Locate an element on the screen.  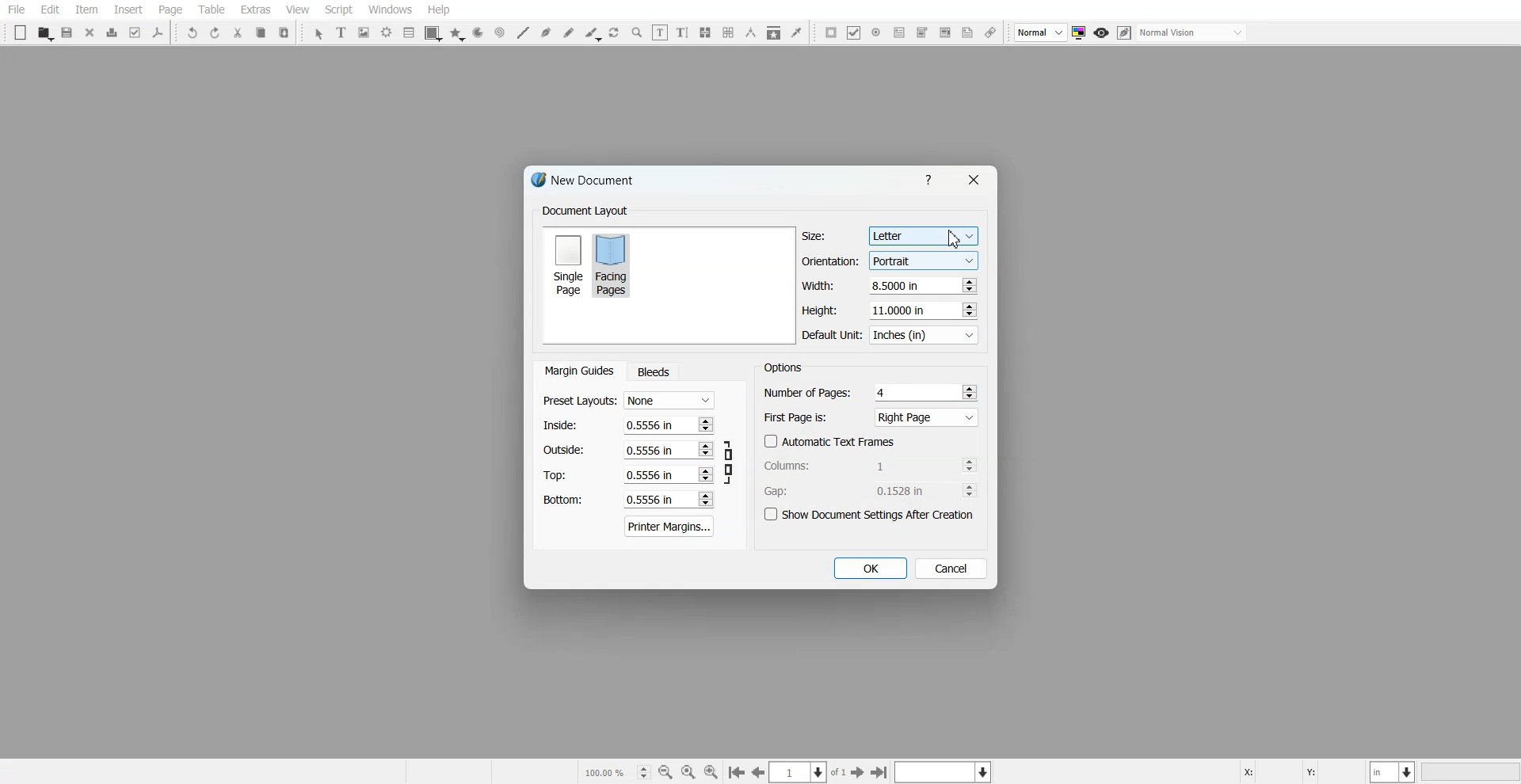
Copy is located at coordinates (260, 32).